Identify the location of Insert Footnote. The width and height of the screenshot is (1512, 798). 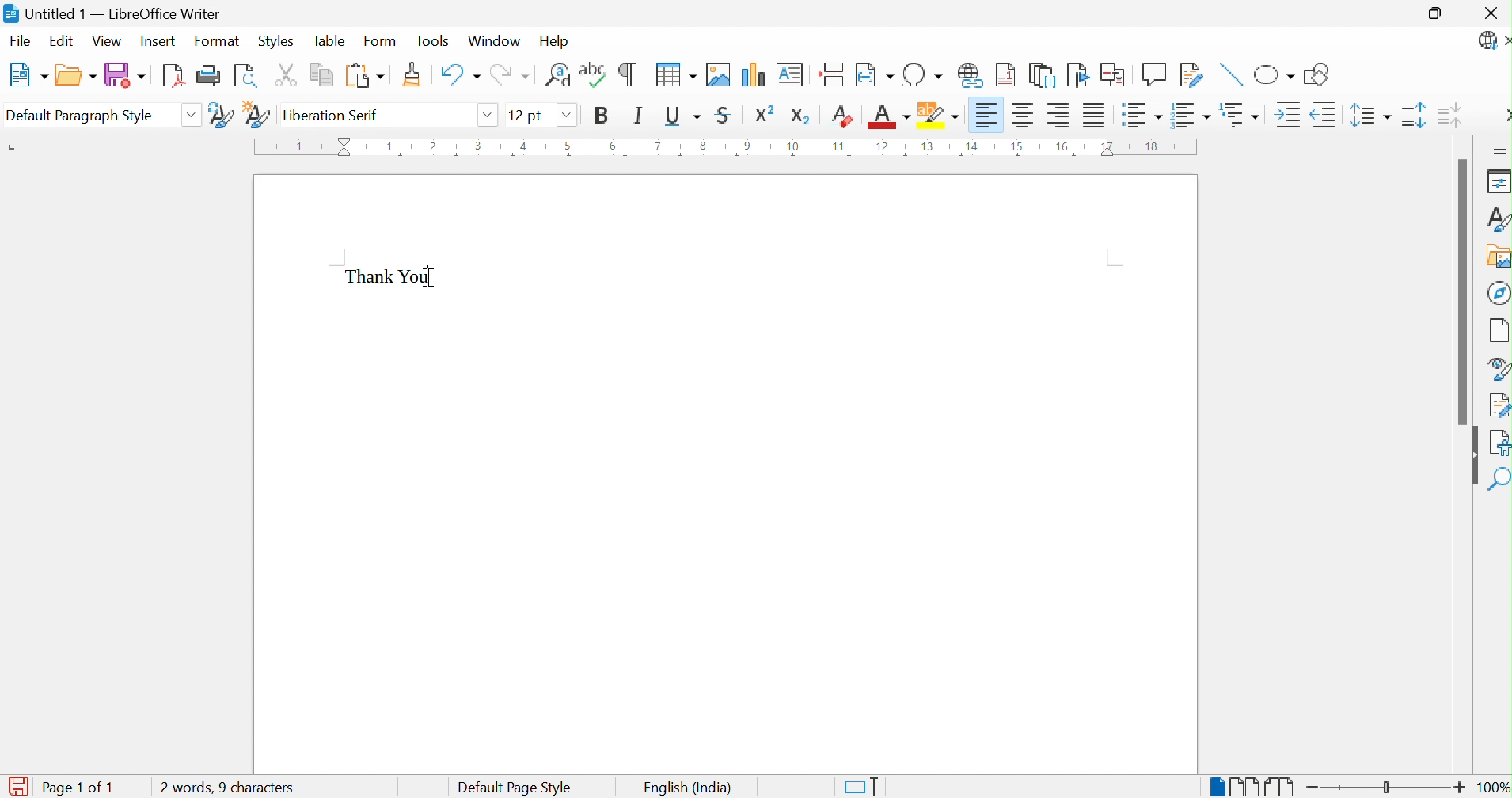
(1006, 75).